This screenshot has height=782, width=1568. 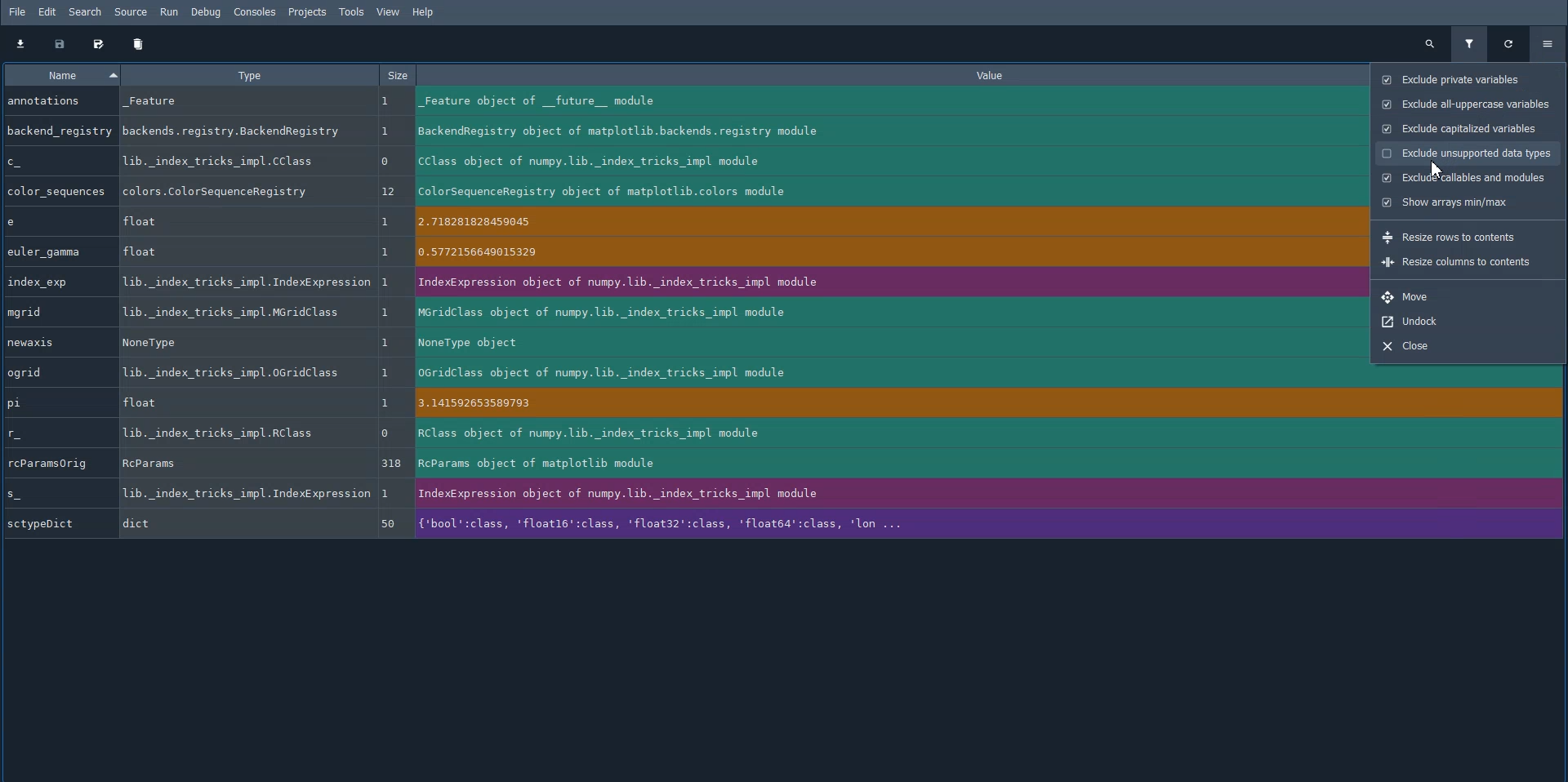 I want to click on oGridclass object of numpy.lib. index tricks_inpl module, so click(x=881, y=371).